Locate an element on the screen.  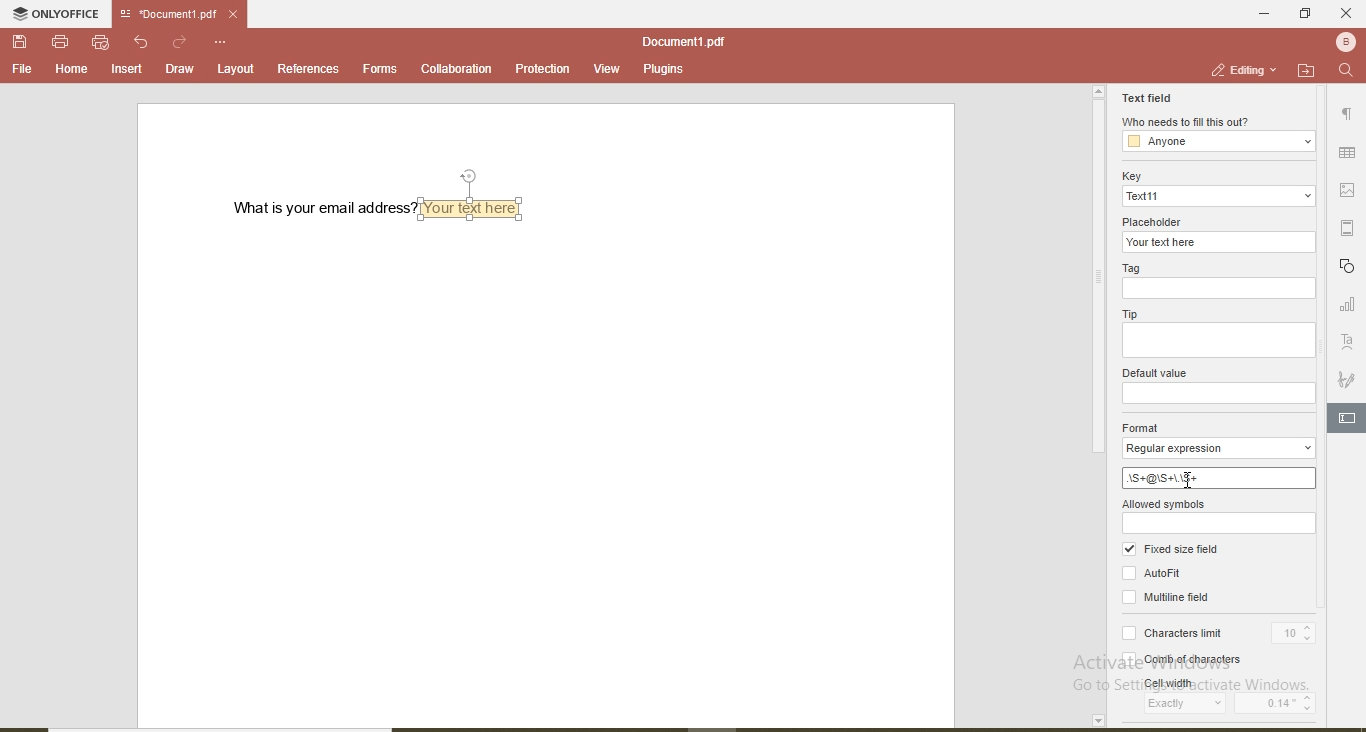
default value input is located at coordinates (1220, 394).